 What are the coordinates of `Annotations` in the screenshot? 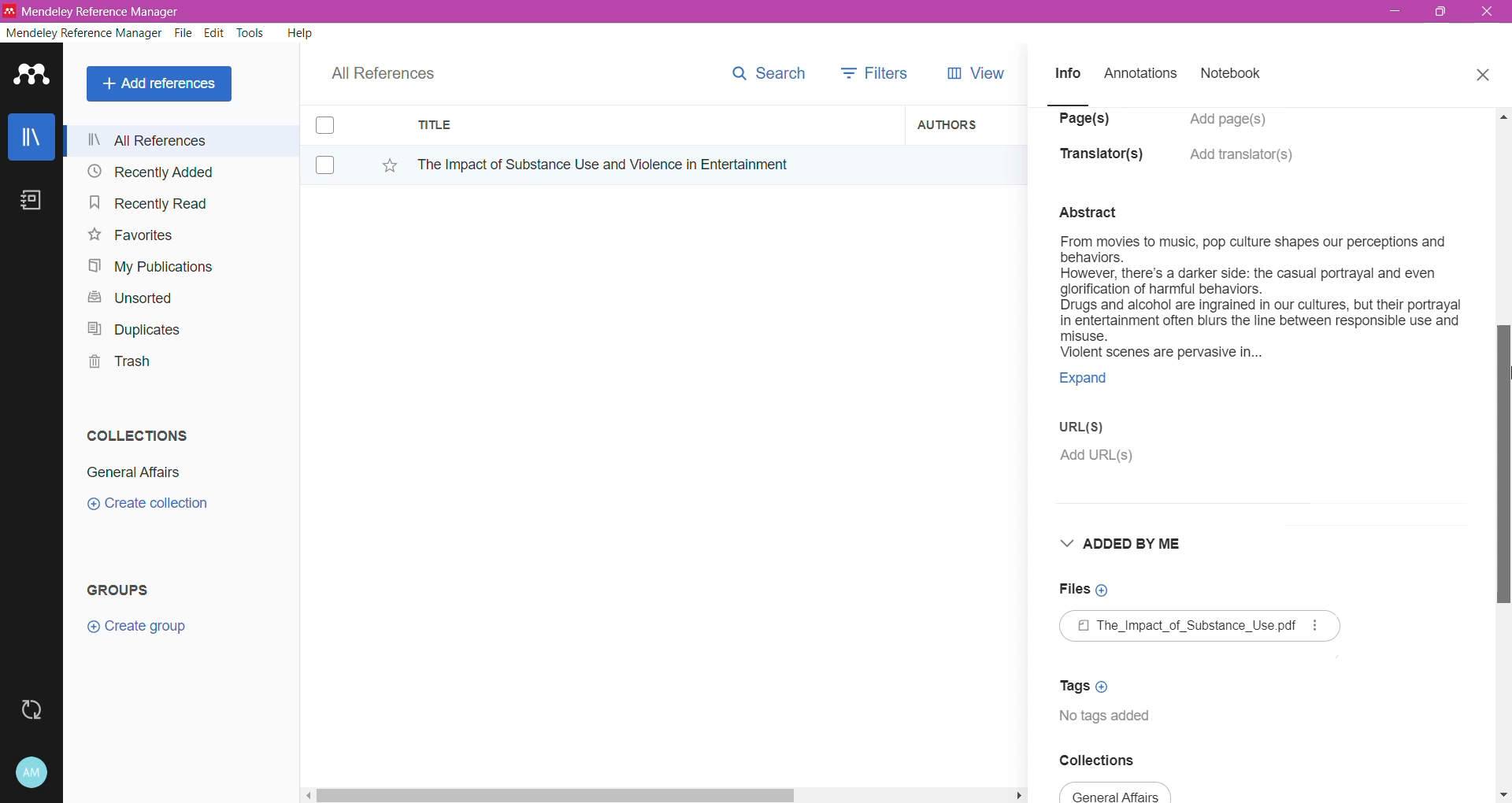 It's located at (1139, 74).